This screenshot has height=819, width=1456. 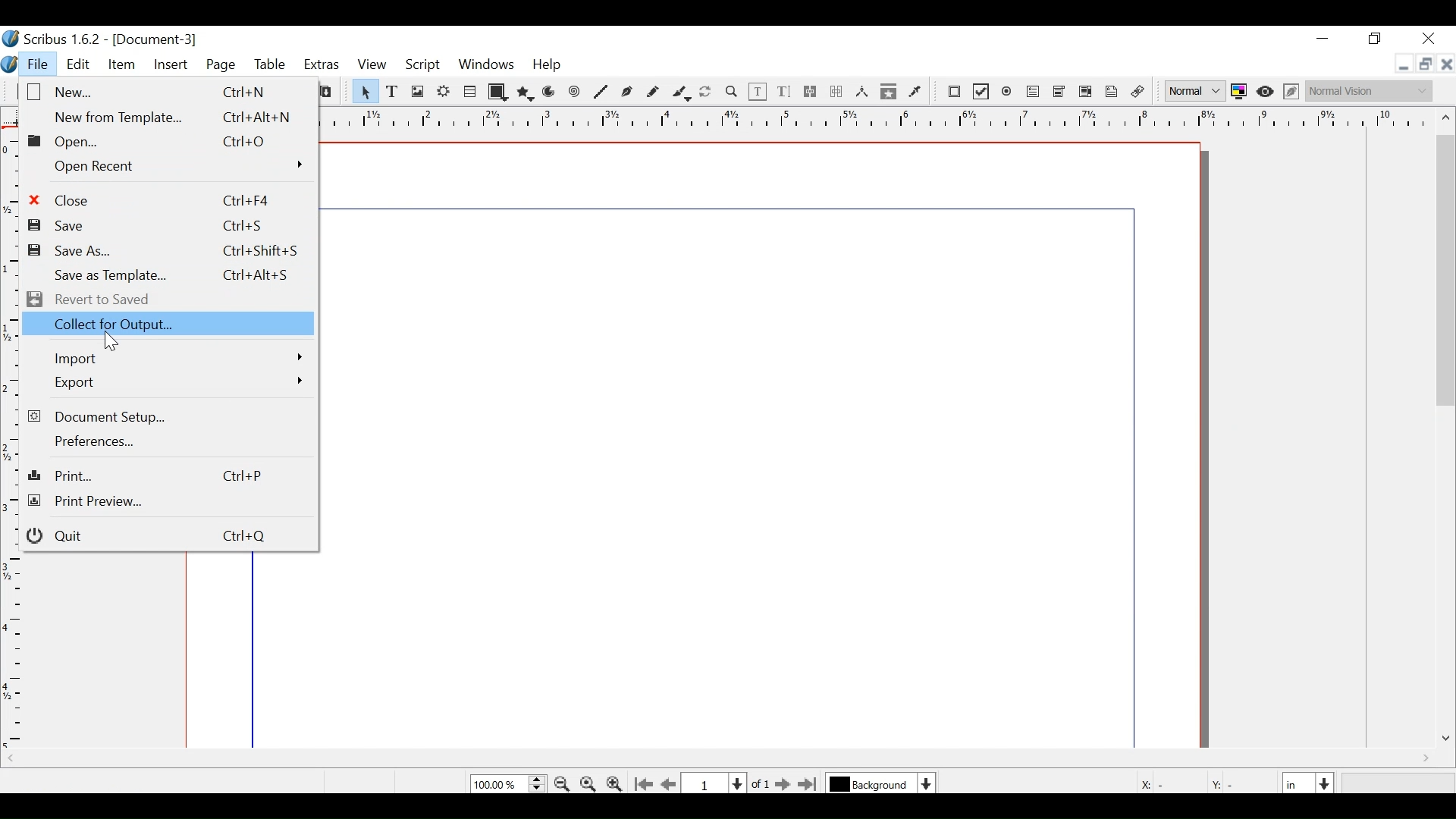 What do you see at coordinates (163, 502) in the screenshot?
I see `Print Preview` at bounding box center [163, 502].